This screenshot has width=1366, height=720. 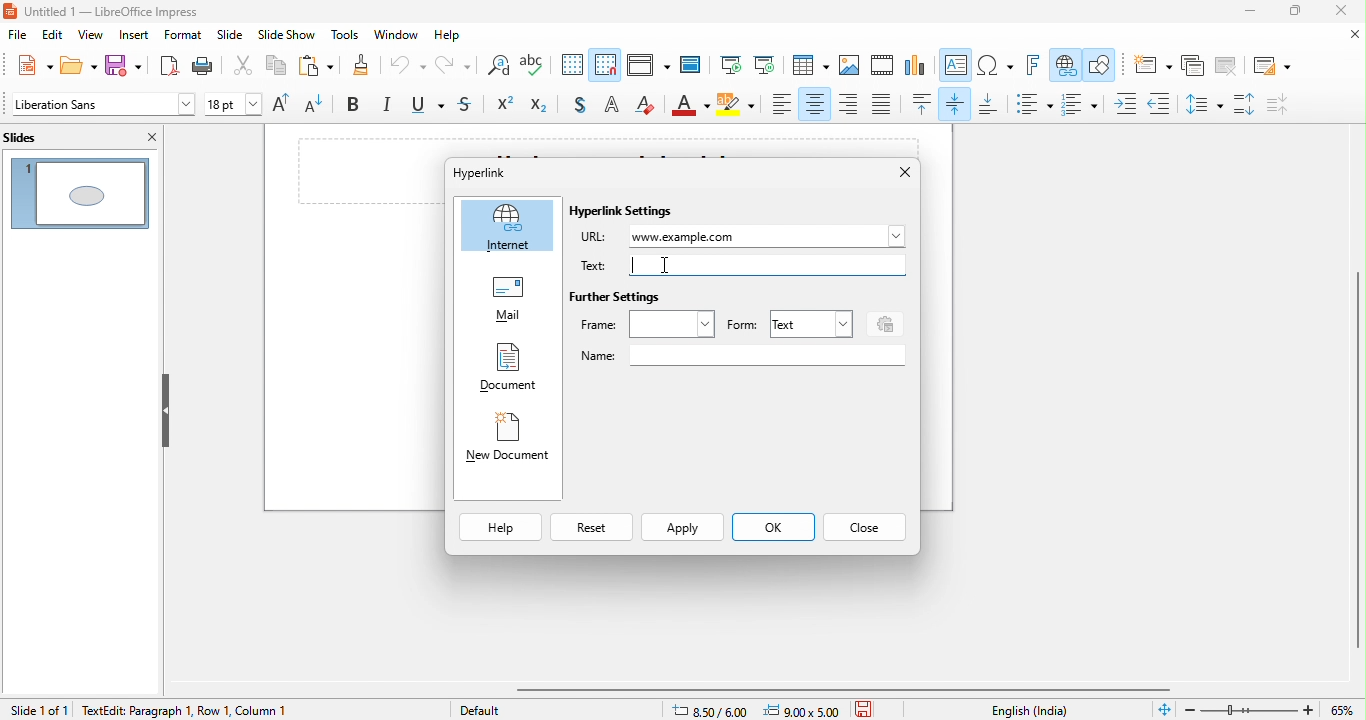 What do you see at coordinates (430, 107) in the screenshot?
I see `underline` at bounding box center [430, 107].